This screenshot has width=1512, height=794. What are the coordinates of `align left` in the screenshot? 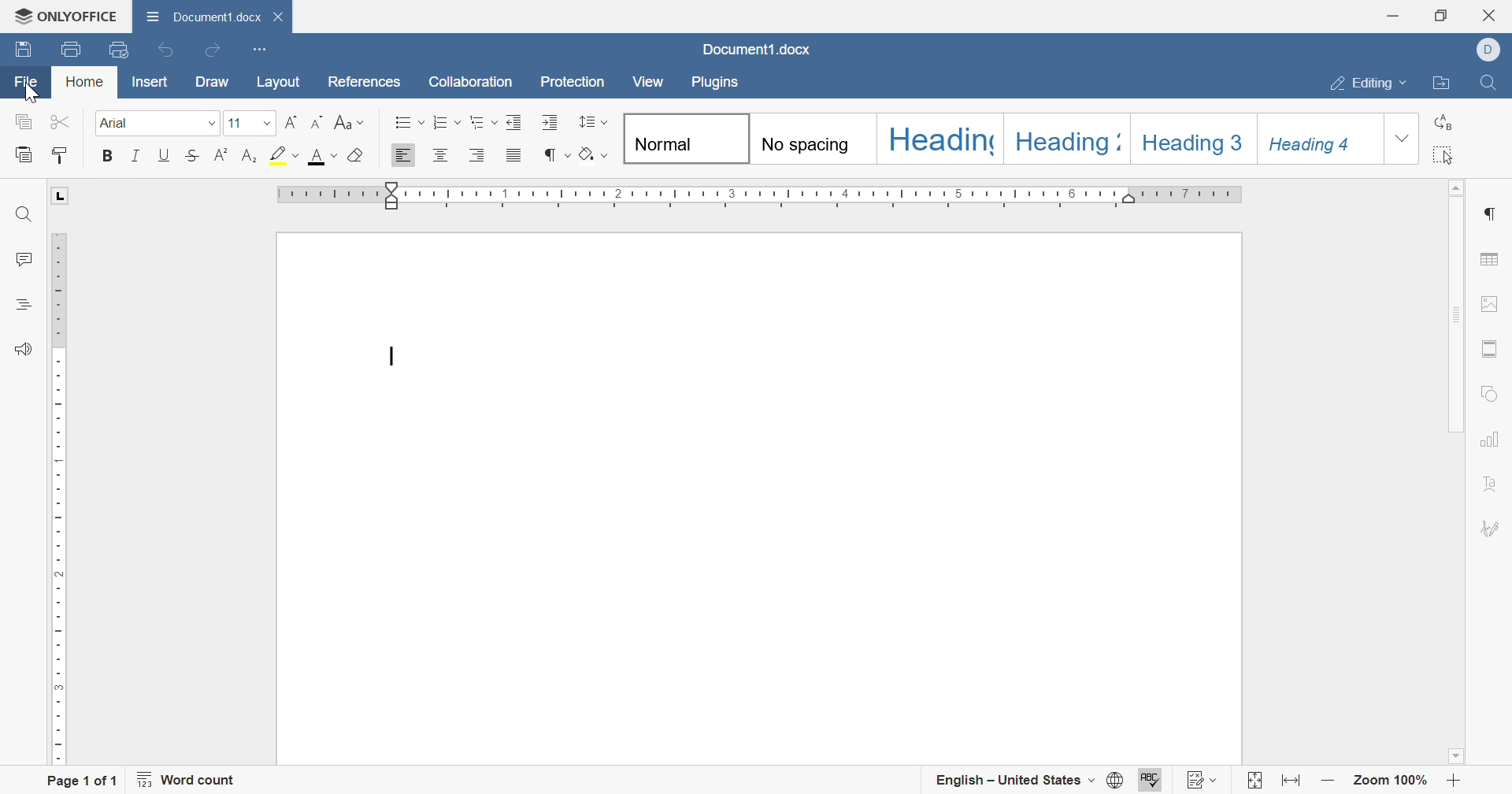 It's located at (439, 155).